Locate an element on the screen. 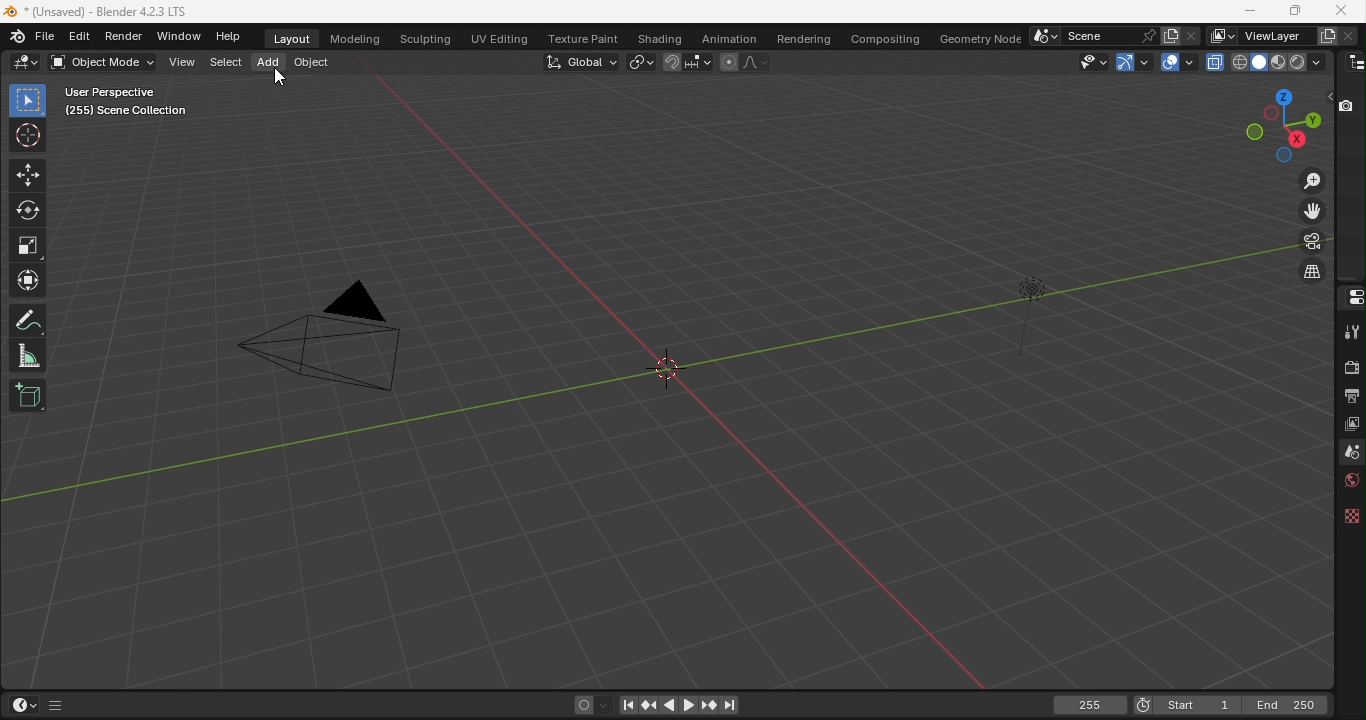  Window is located at coordinates (180, 37).